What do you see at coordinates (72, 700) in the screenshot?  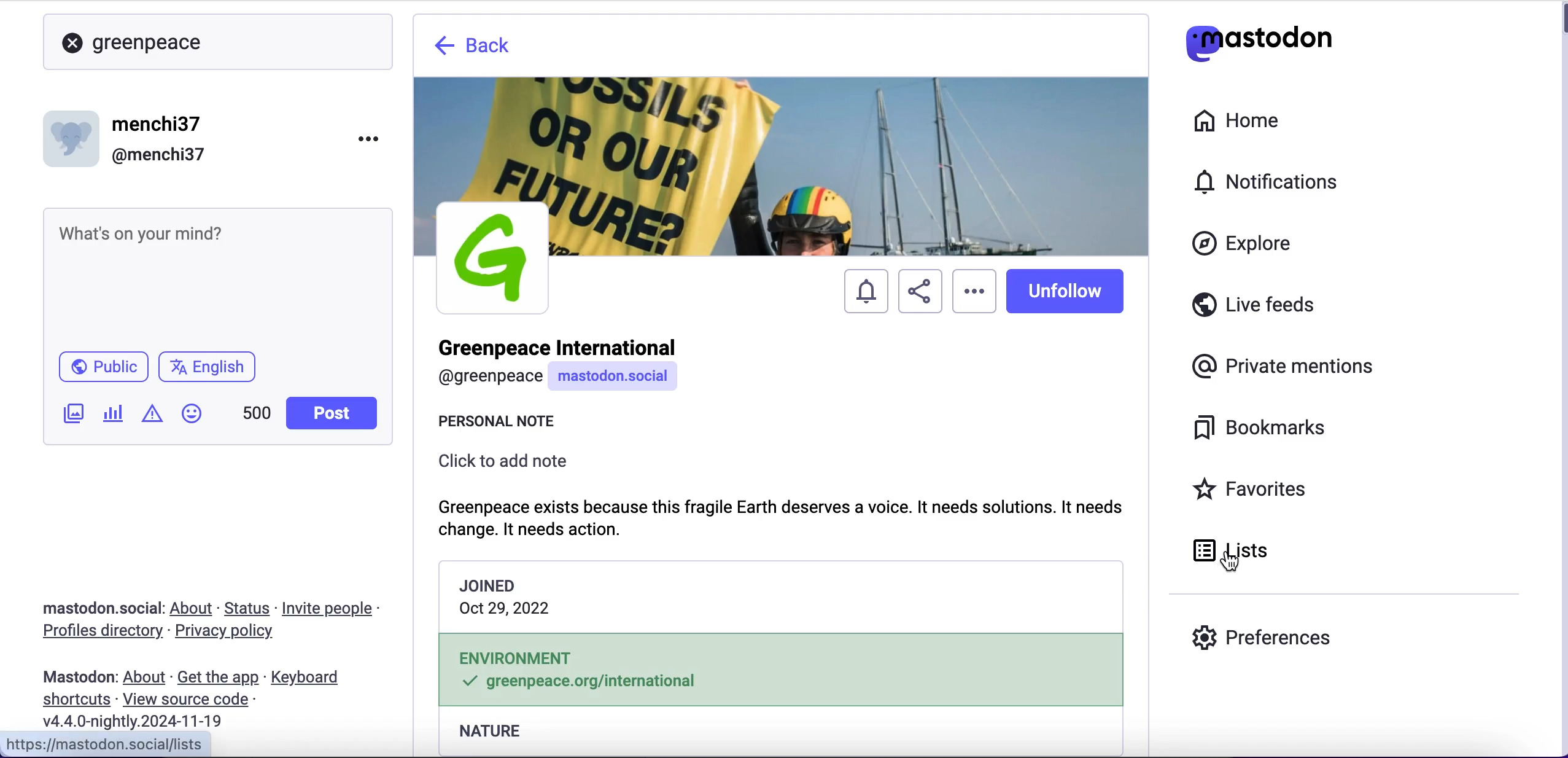 I see `shortcuts` at bounding box center [72, 700].